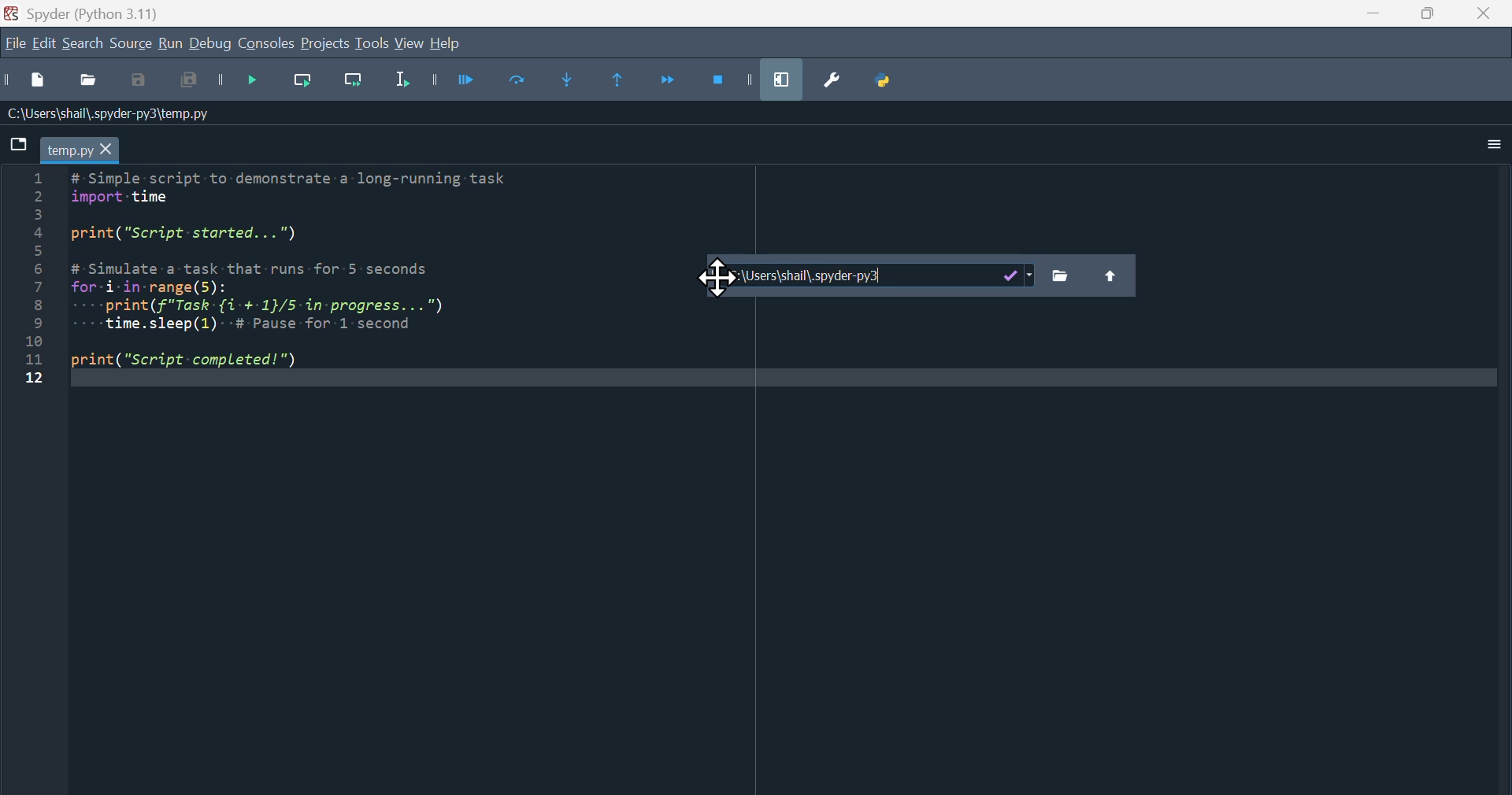 Image resolution: width=1512 pixels, height=795 pixels. What do you see at coordinates (868, 279) in the screenshot?
I see `Plugins` at bounding box center [868, 279].